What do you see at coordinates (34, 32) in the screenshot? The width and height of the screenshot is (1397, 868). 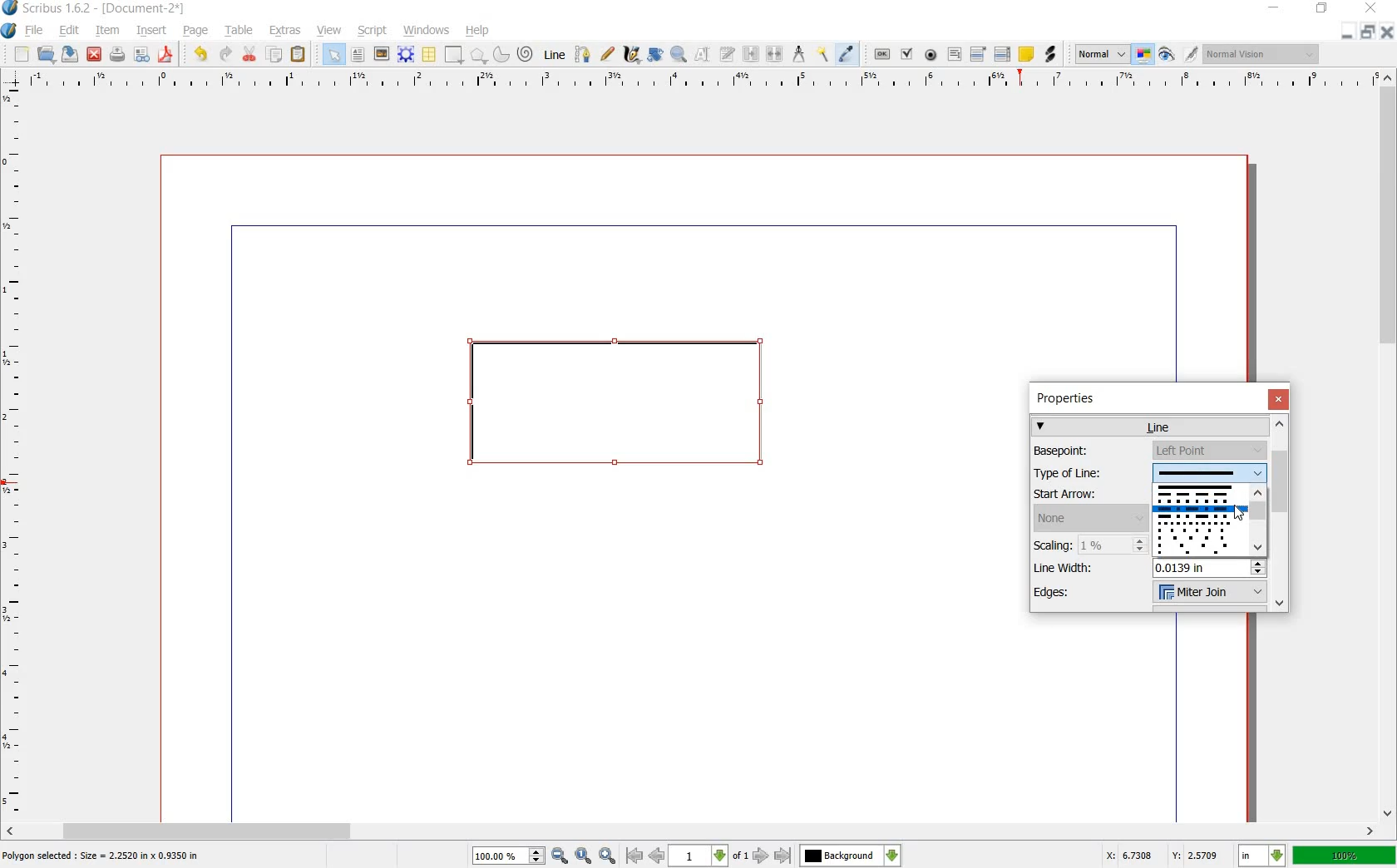 I see `FILE` at bounding box center [34, 32].